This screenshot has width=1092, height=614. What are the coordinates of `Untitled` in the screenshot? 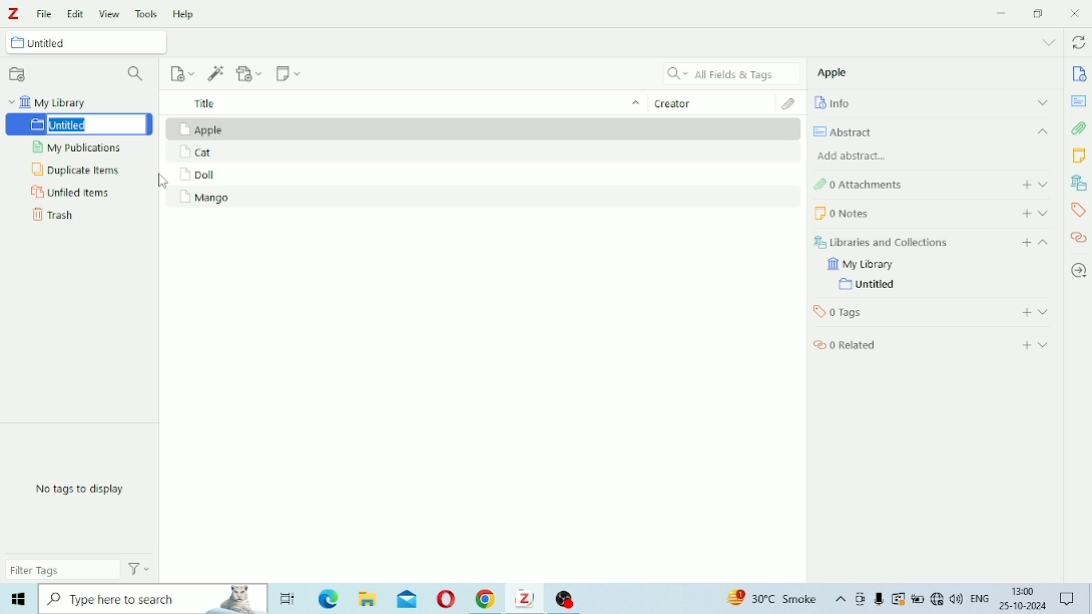 It's located at (85, 42).